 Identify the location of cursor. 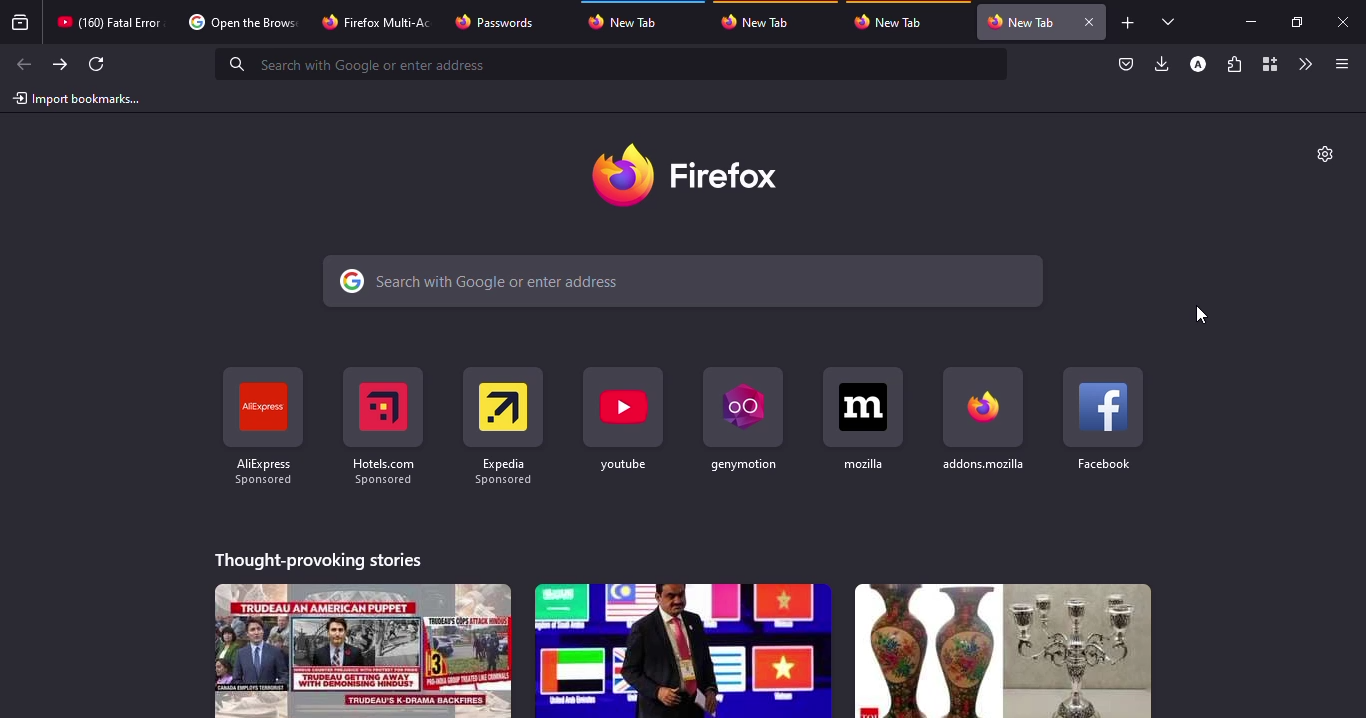
(1201, 314).